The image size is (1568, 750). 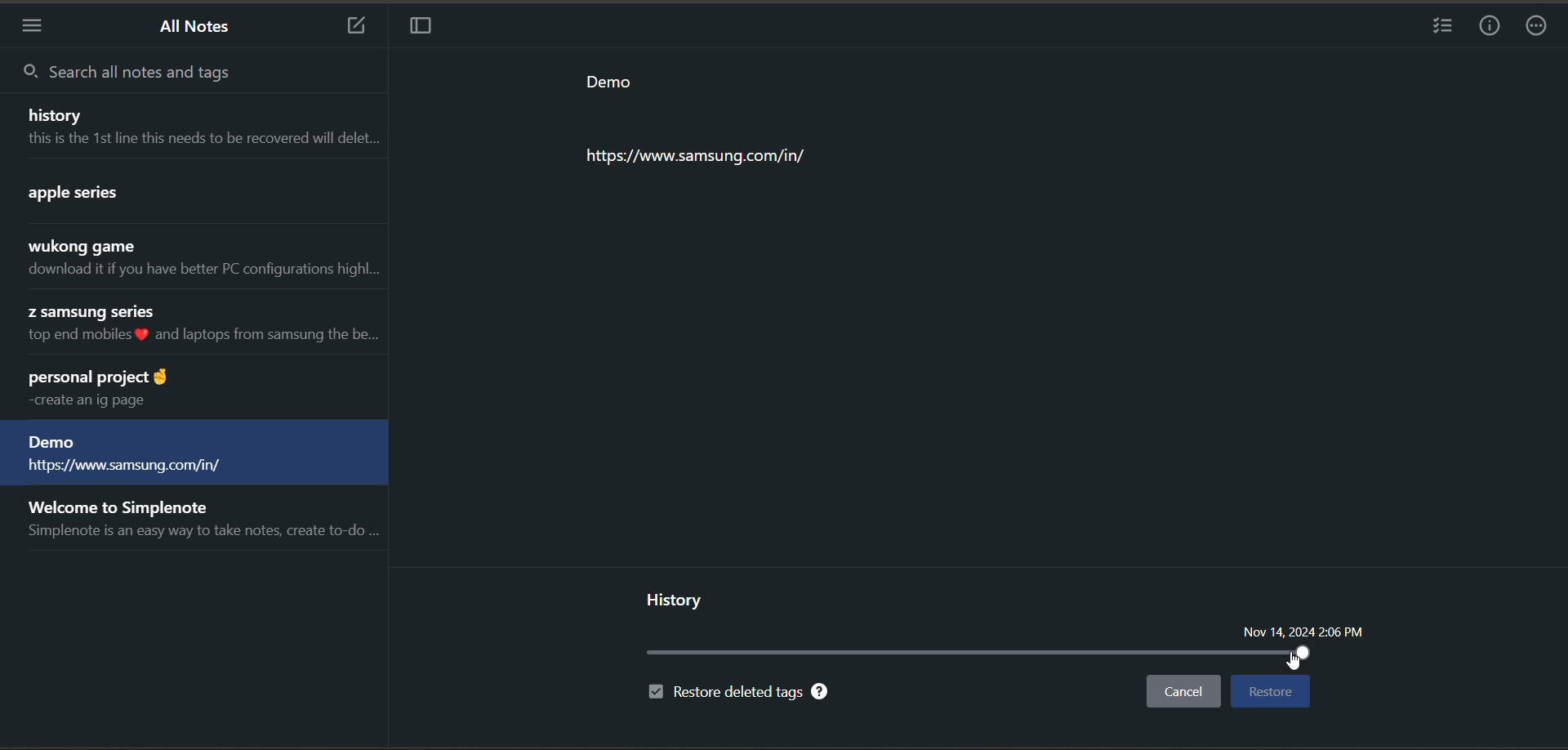 What do you see at coordinates (1541, 28) in the screenshot?
I see `actions` at bounding box center [1541, 28].